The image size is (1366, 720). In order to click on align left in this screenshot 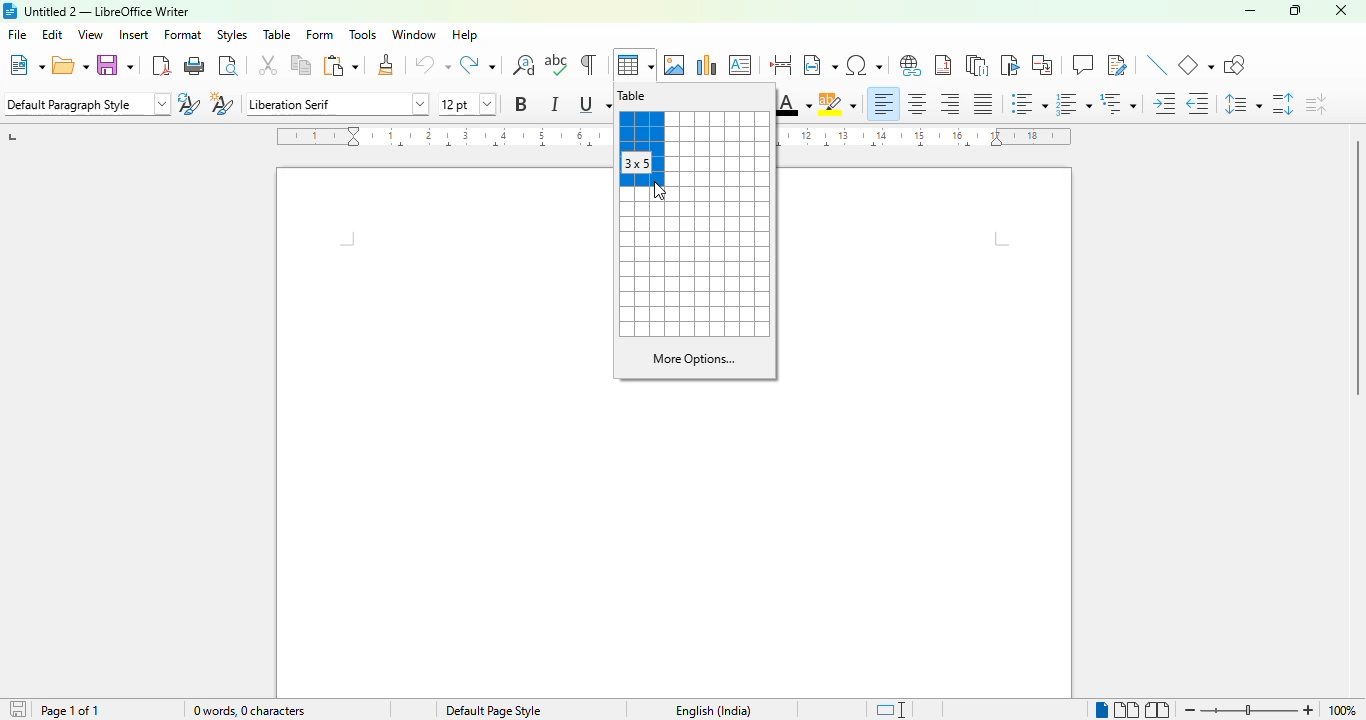, I will do `click(883, 104)`.